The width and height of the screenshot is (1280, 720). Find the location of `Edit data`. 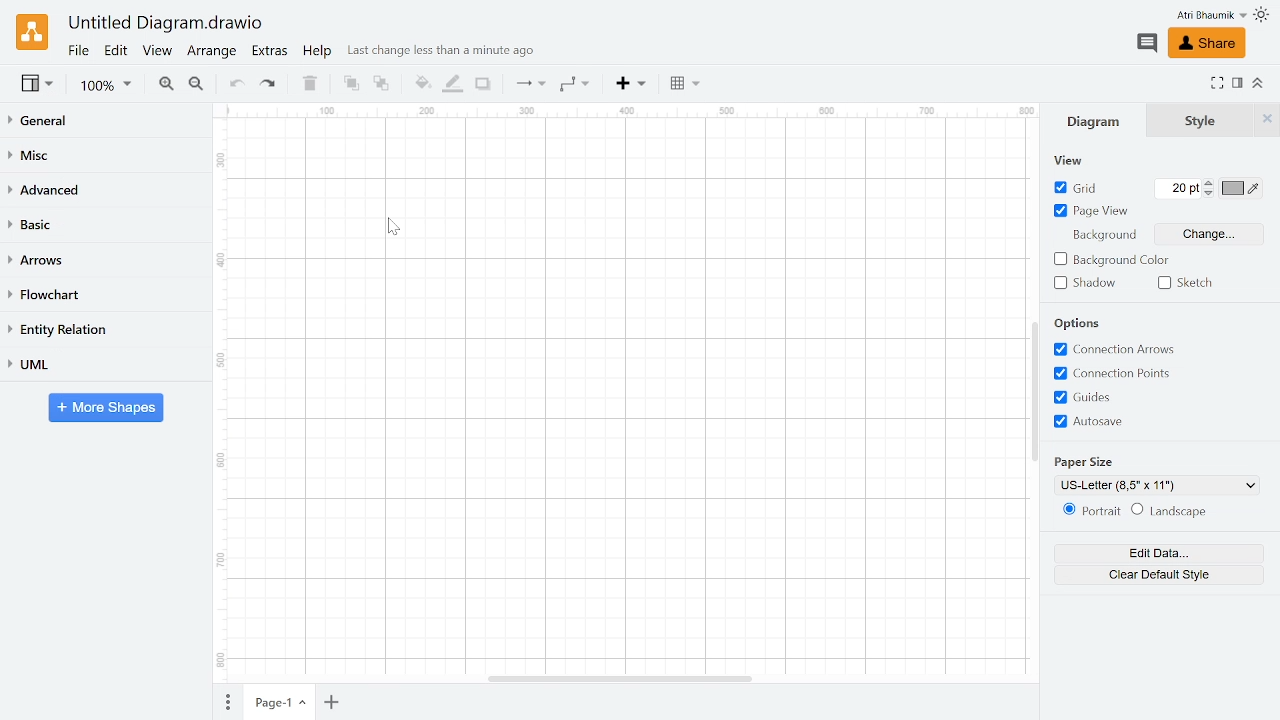

Edit data is located at coordinates (1156, 553).